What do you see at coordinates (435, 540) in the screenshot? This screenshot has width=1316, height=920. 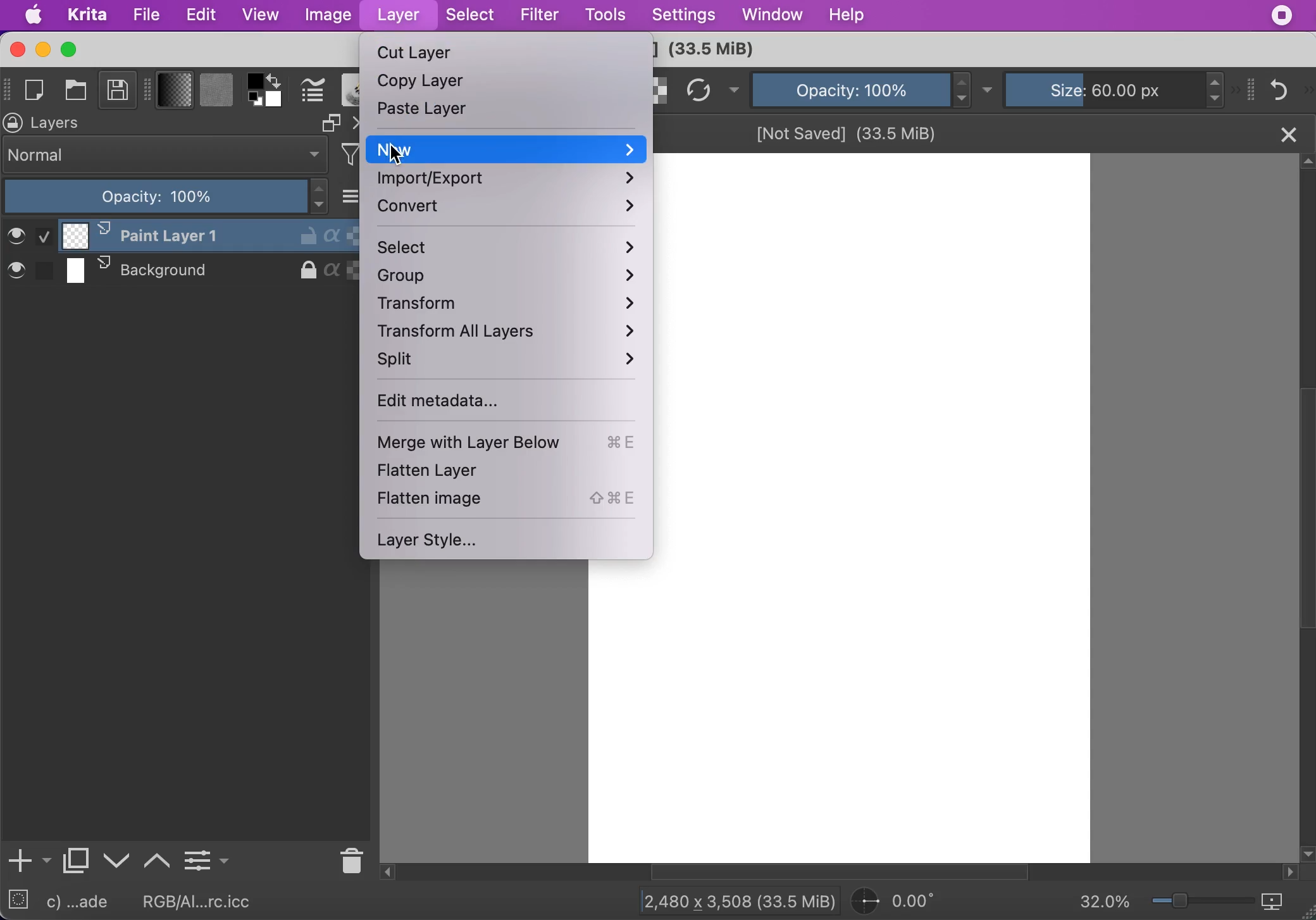 I see `layer style` at bounding box center [435, 540].